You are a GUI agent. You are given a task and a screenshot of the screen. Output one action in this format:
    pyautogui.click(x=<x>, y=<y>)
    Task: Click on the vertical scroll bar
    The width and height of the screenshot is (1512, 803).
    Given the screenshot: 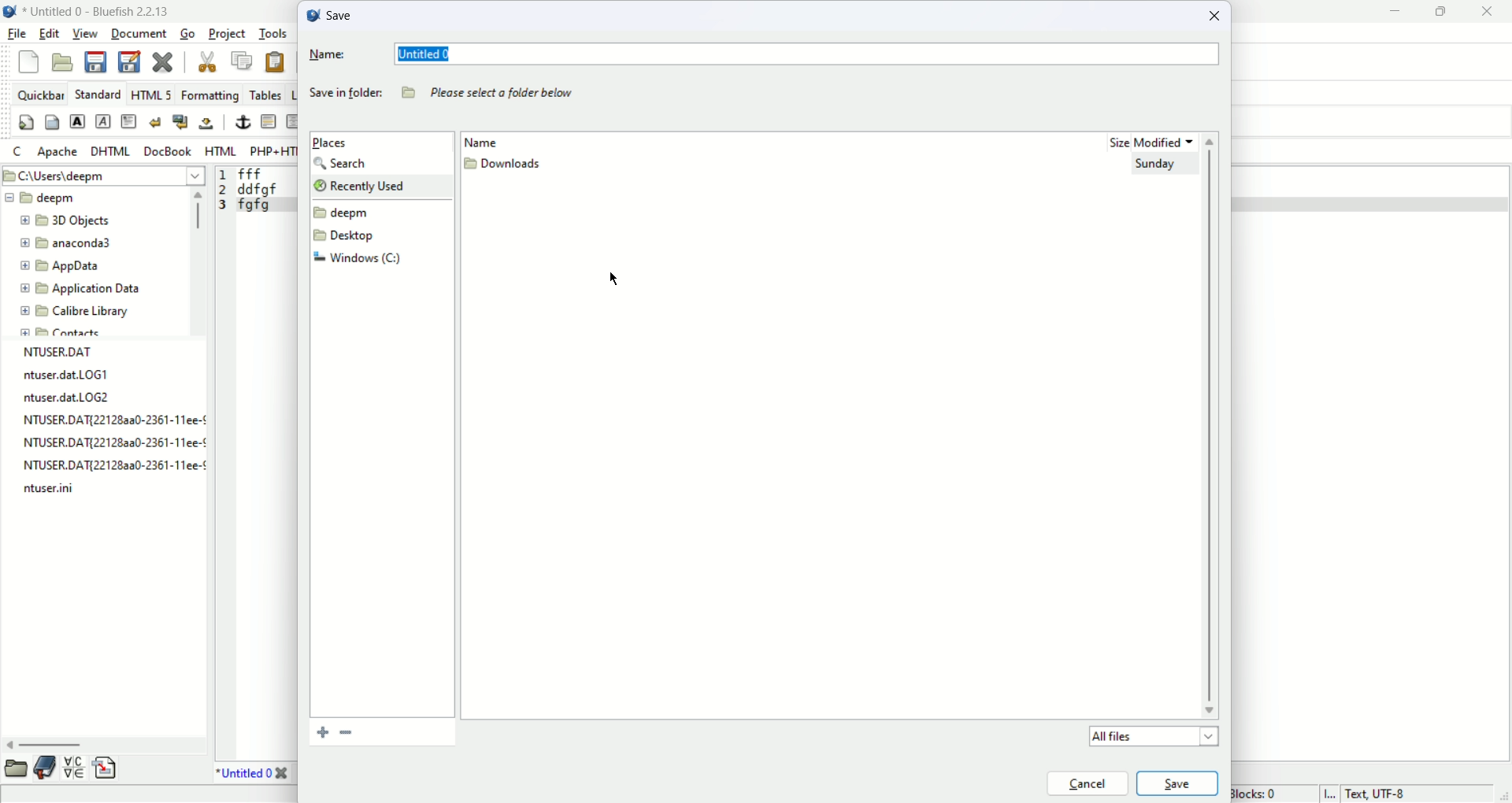 What is the action you would take?
    pyautogui.click(x=195, y=260)
    